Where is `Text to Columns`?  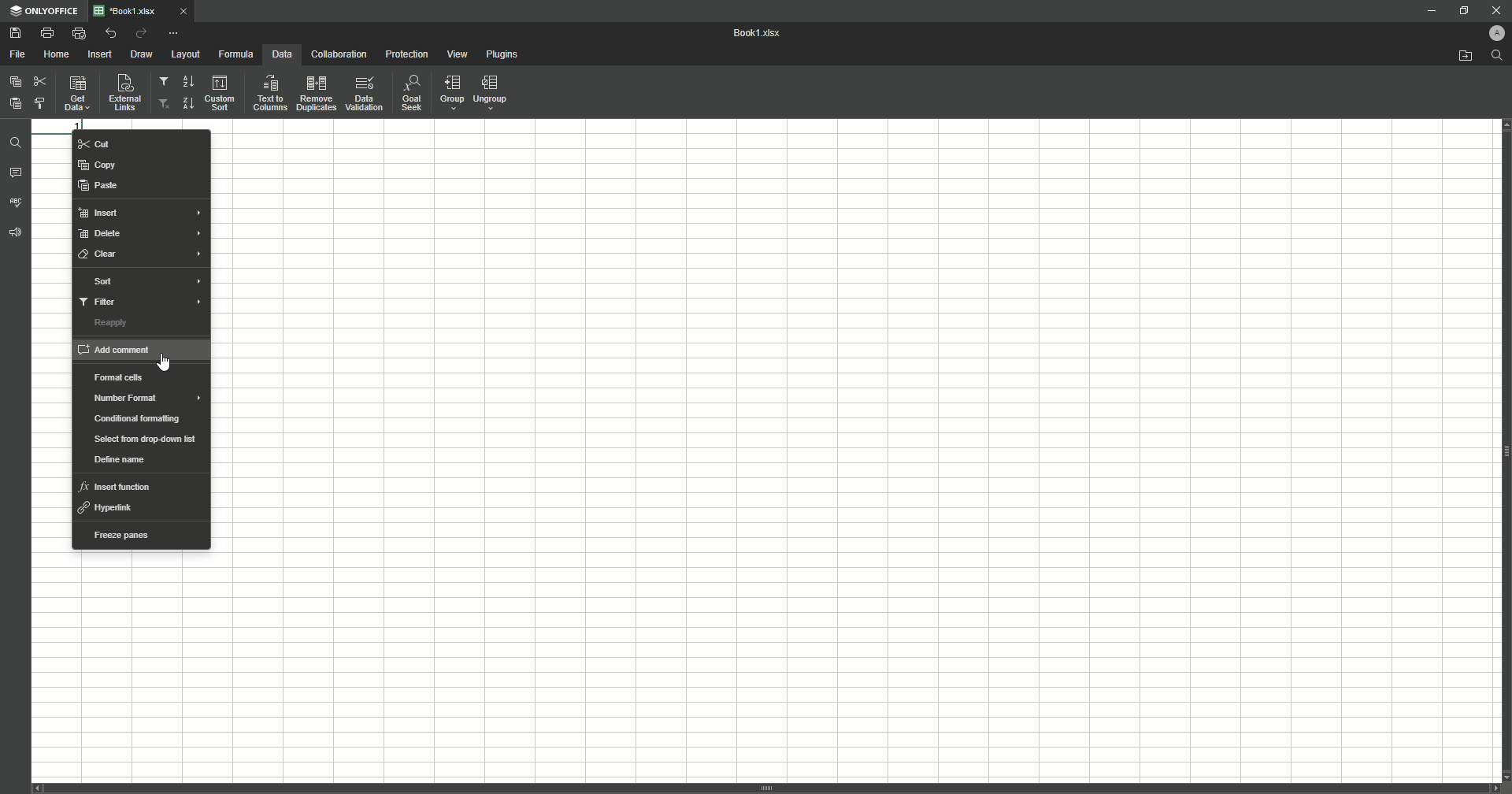
Text to Columns is located at coordinates (269, 93).